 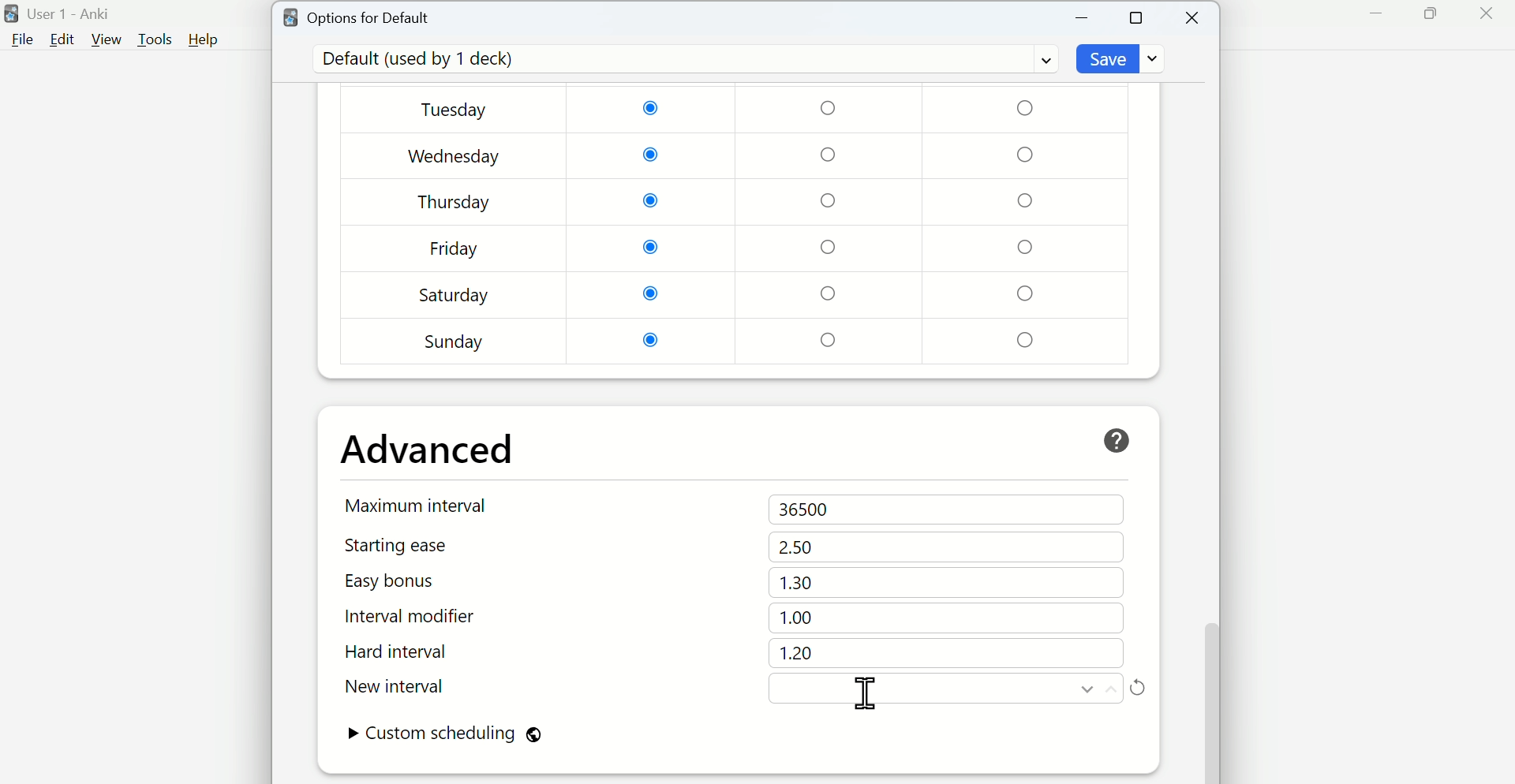 What do you see at coordinates (20, 40) in the screenshot?
I see `File` at bounding box center [20, 40].